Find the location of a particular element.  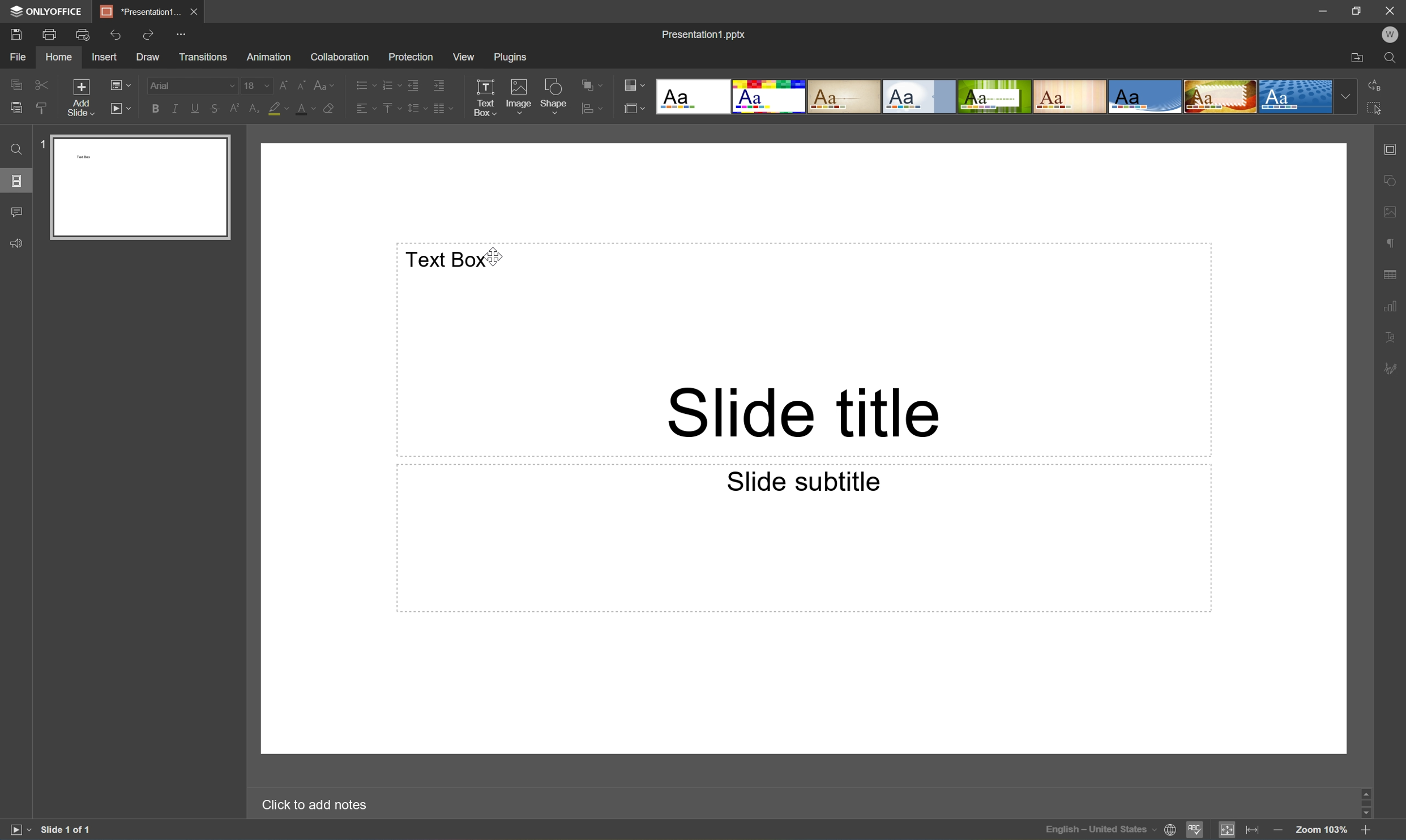

Slide is located at coordinates (143, 187).